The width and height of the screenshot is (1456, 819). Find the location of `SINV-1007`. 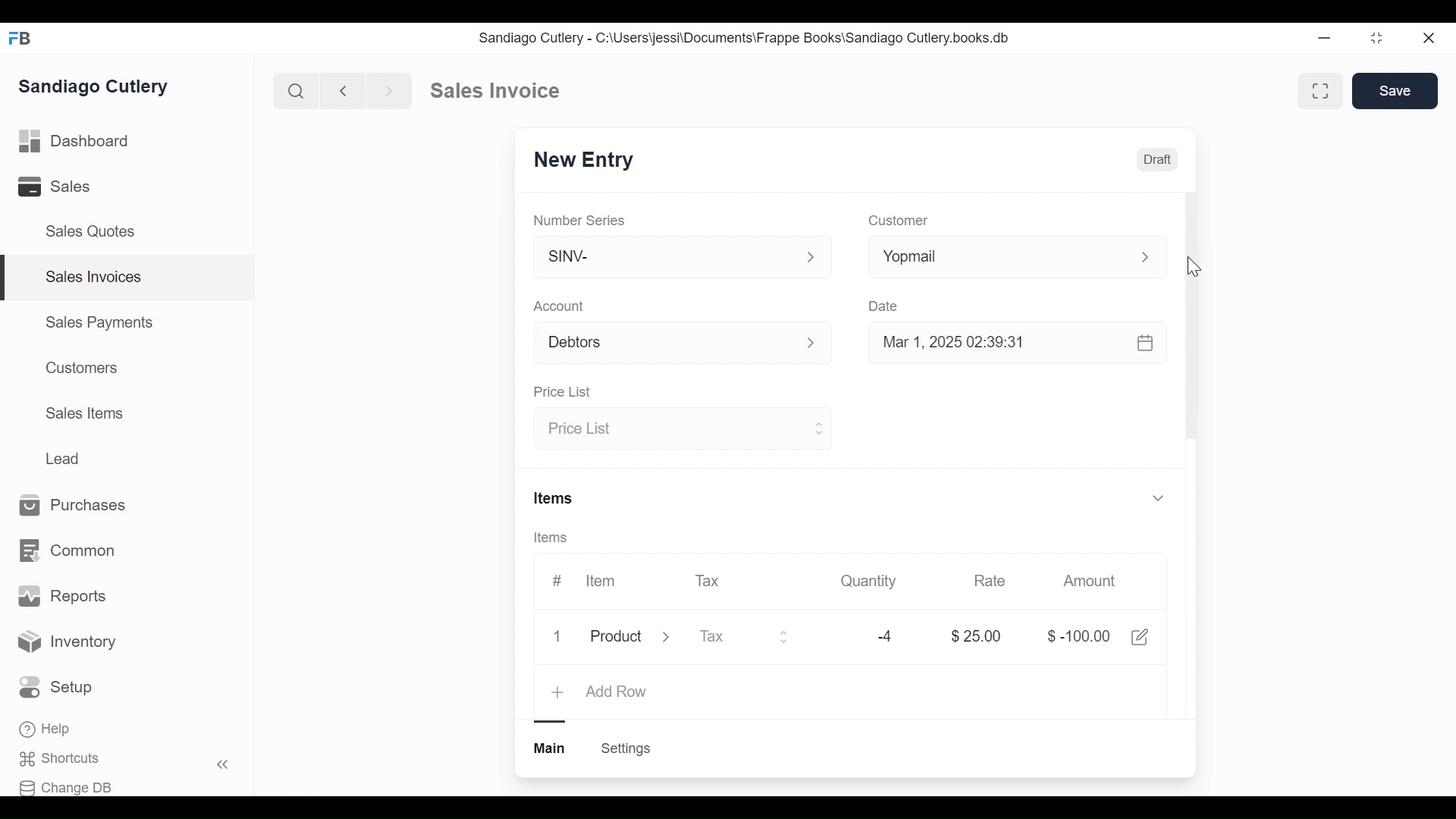

SINV-1007 is located at coordinates (585, 158).